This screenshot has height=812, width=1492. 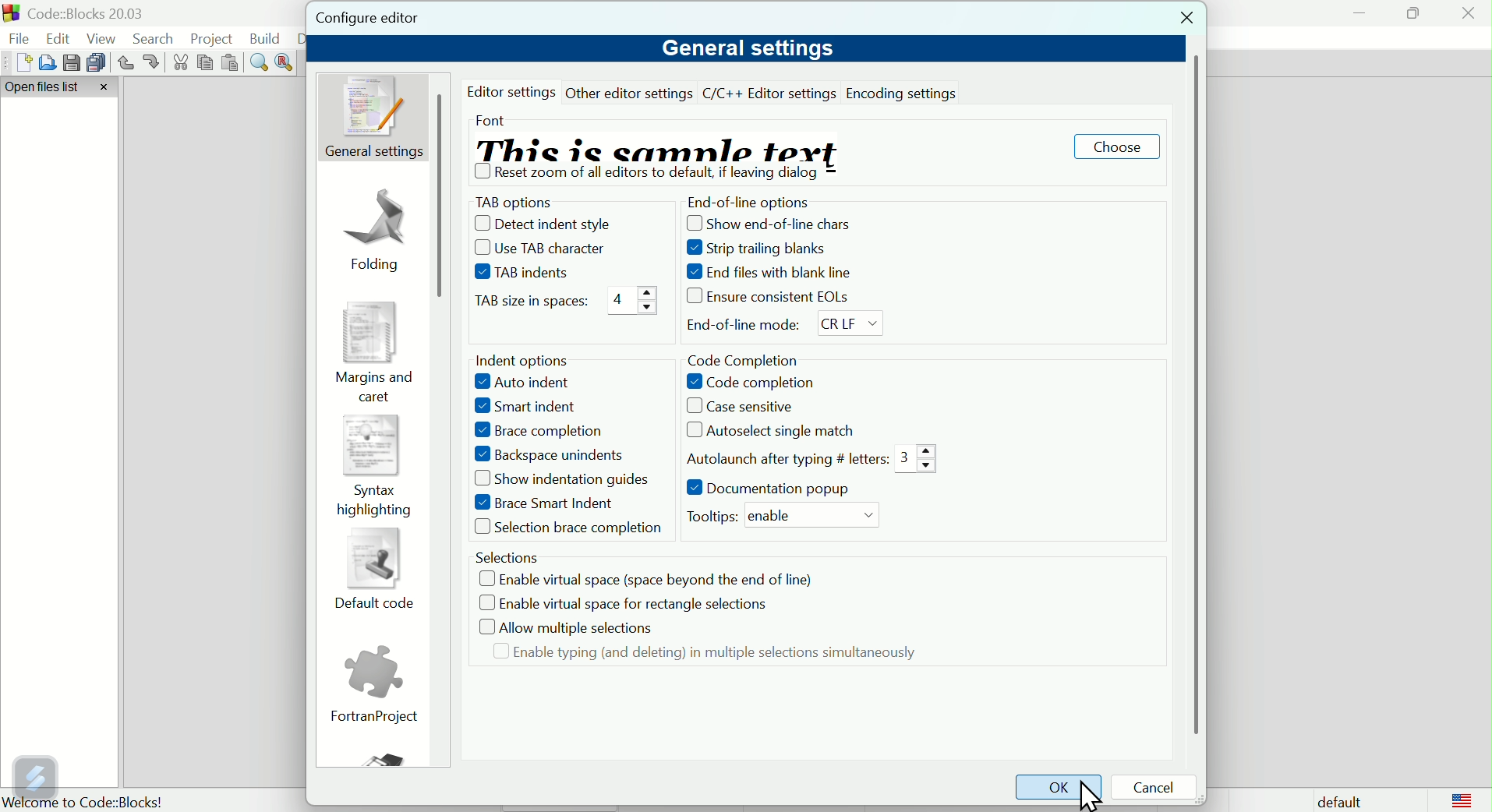 What do you see at coordinates (44, 62) in the screenshot?
I see `Open file` at bounding box center [44, 62].